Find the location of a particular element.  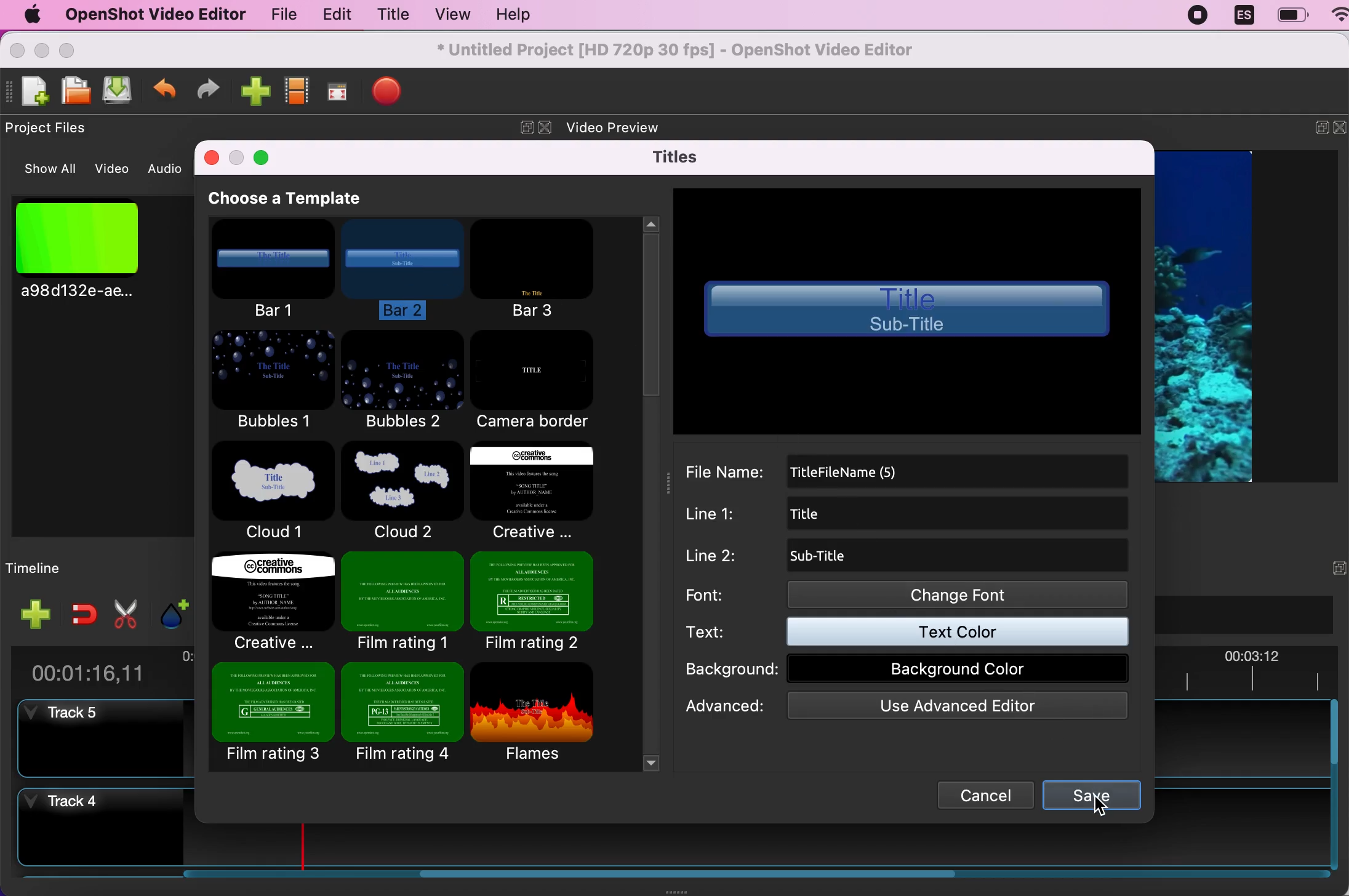

film ratin 1 is located at coordinates (401, 602).